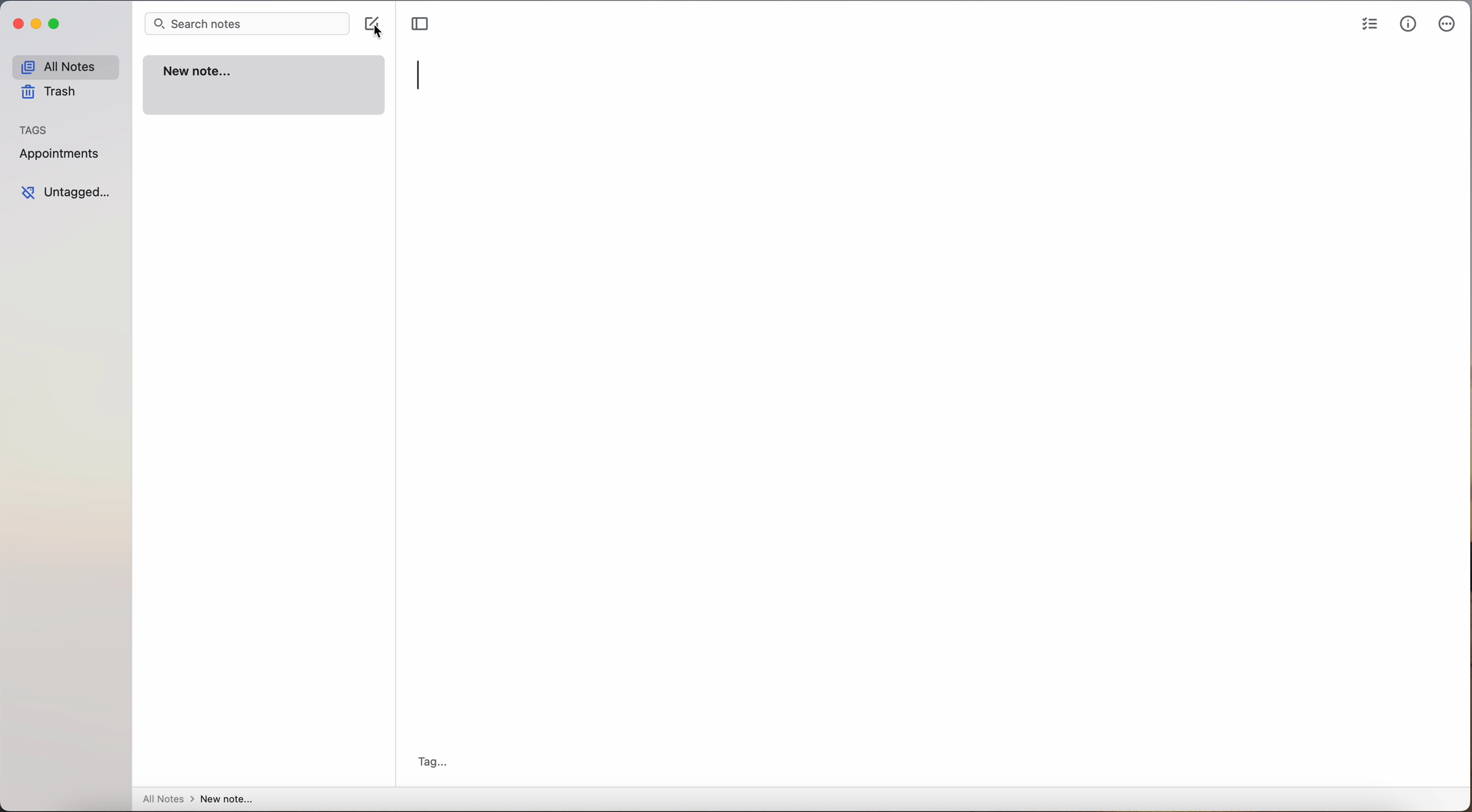 This screenshot has height=812, width=1472. Describe the element at coordinates (378, 29) in the screenshot. I see `cursor` at that location.